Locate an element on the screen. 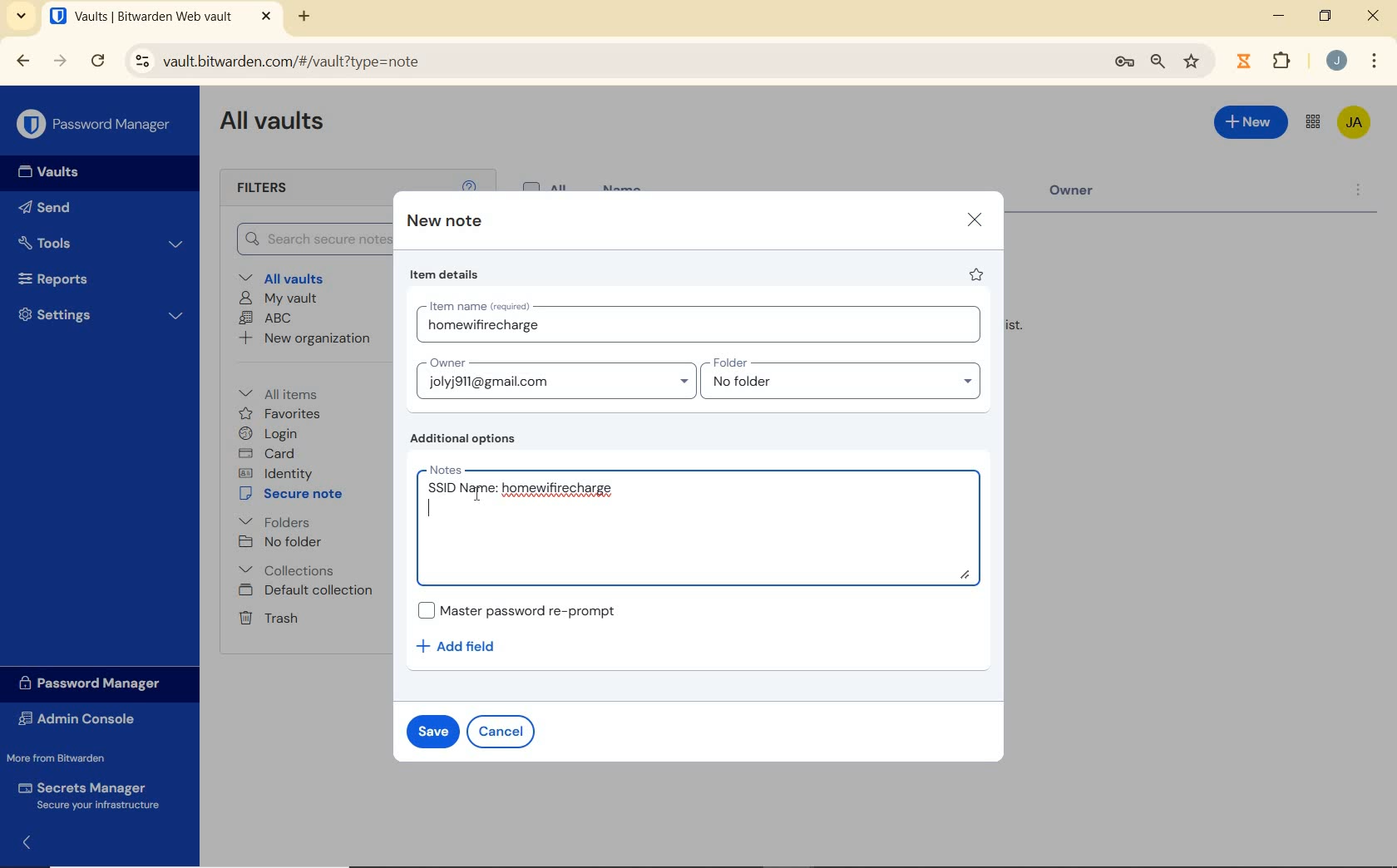  backward is located at coordinates (23, 62).